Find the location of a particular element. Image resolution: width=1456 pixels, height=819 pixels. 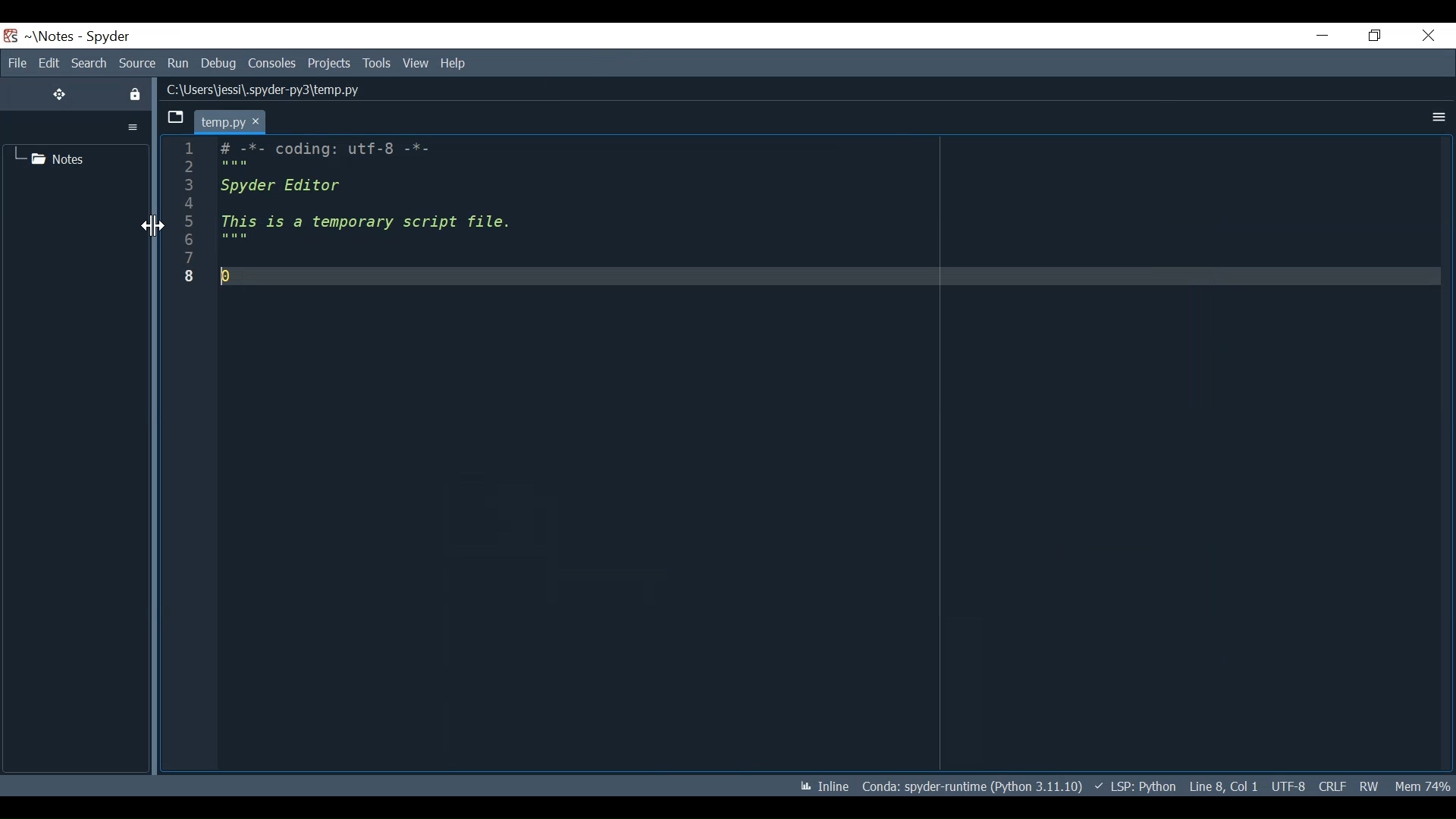

~\Notes - Spyder is located at coordinates (80, 39).